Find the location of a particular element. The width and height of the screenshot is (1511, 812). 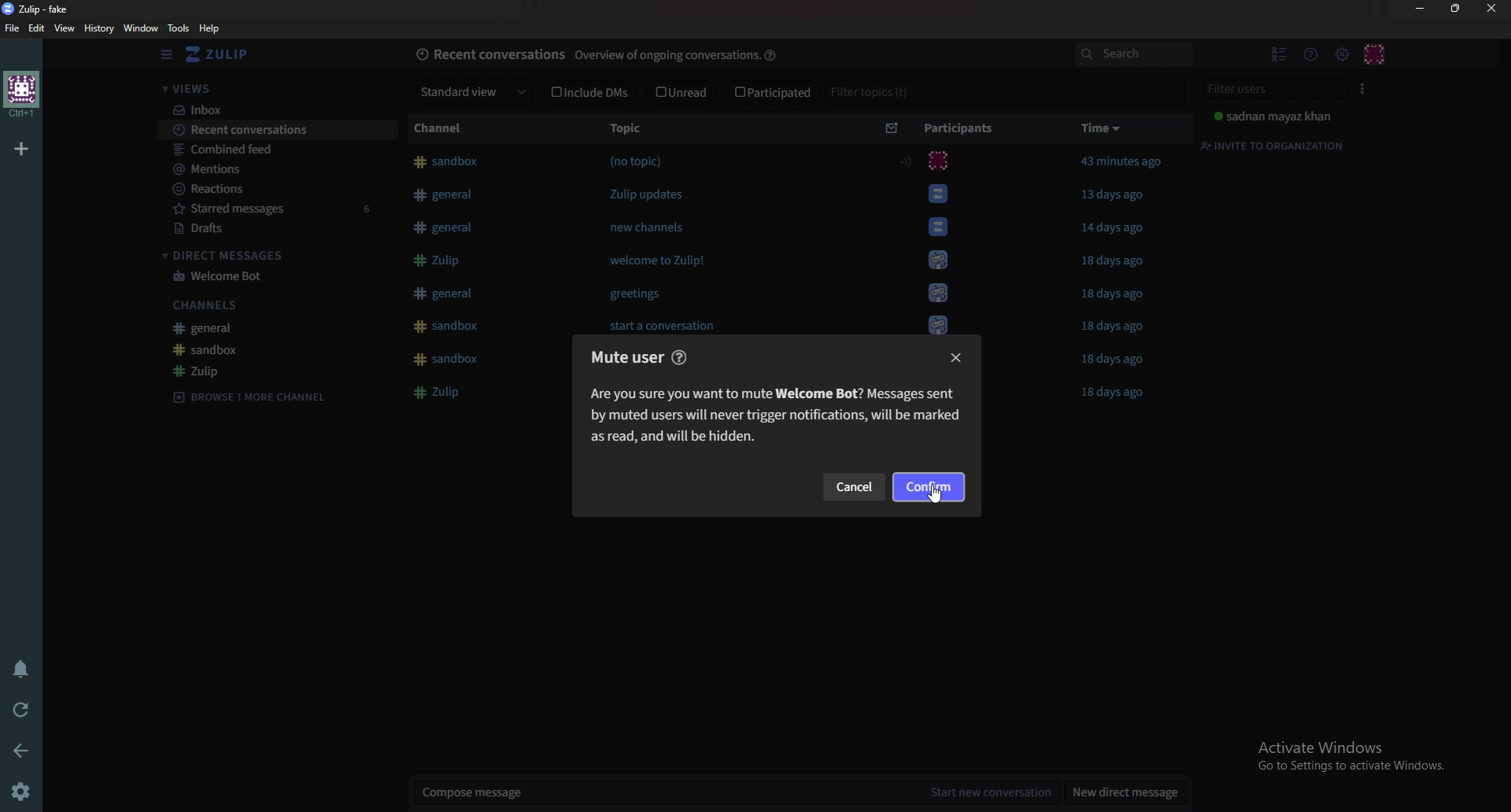

standard view is located at coordinates (475, 93).